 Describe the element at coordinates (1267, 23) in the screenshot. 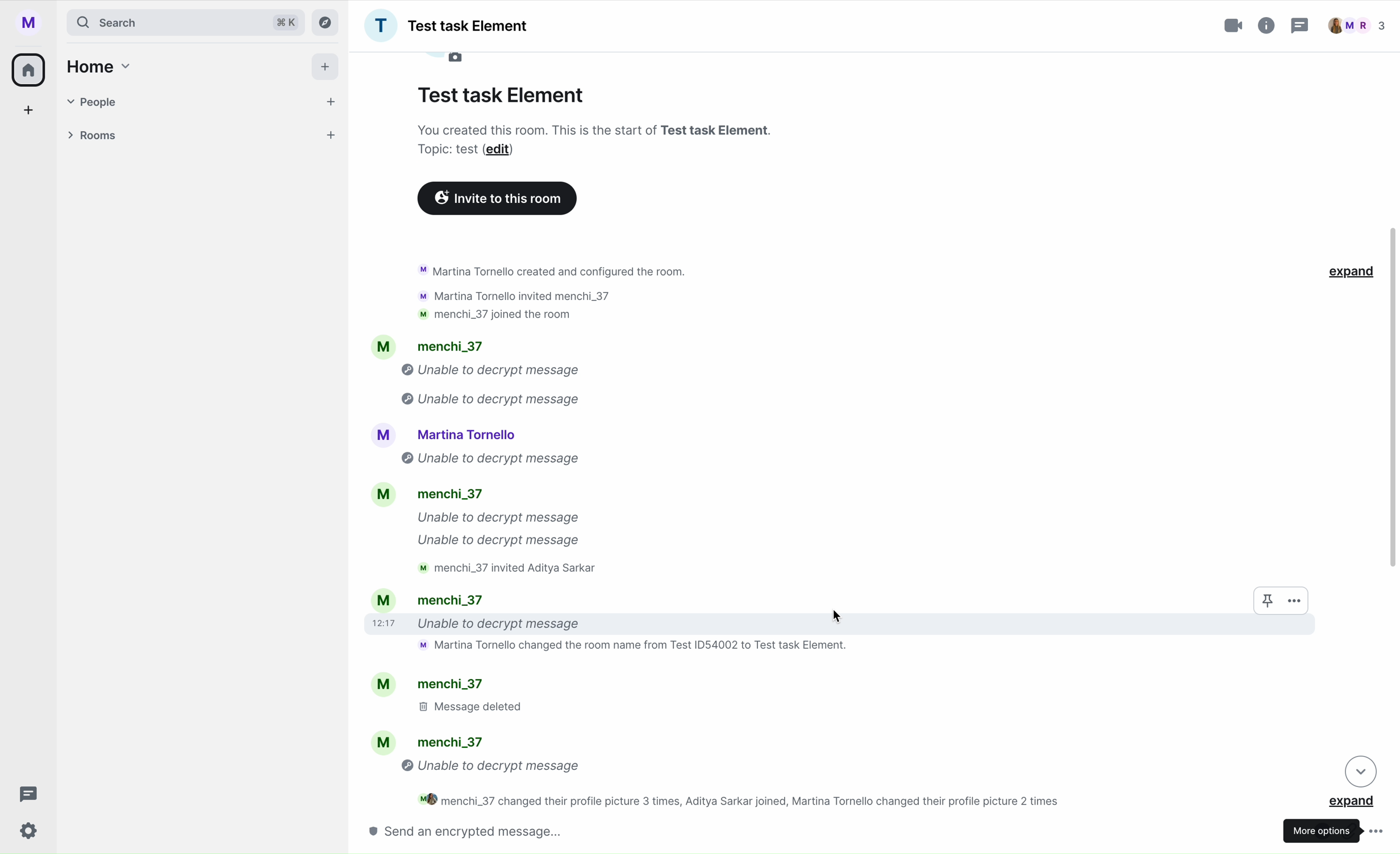

I see `information` at that location.